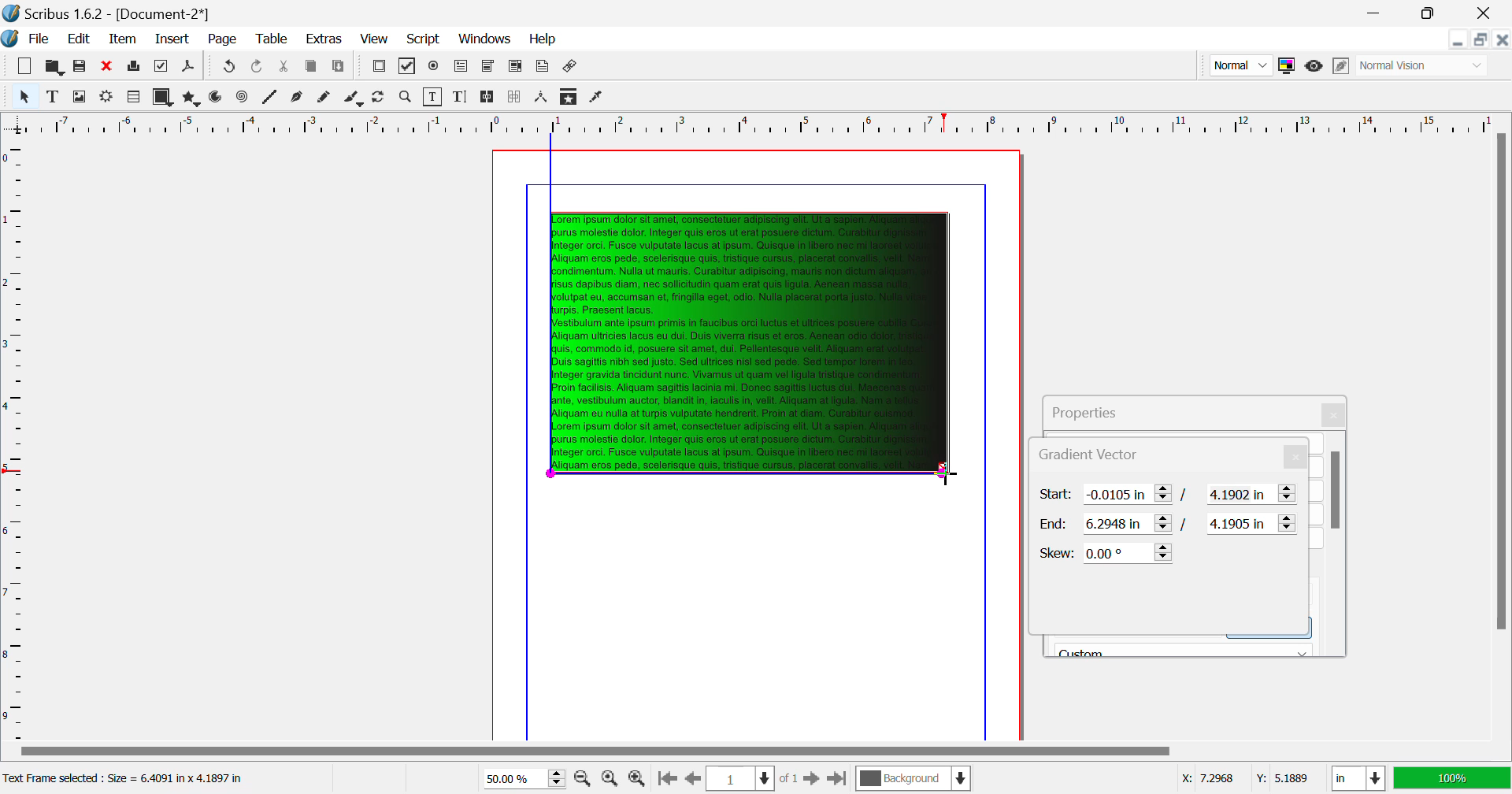 Image resolution: width=1512 pixels, height=794 pixels. Describe the element at coordinates (76, 39) in the screenshot. I see `Edit` at that location.